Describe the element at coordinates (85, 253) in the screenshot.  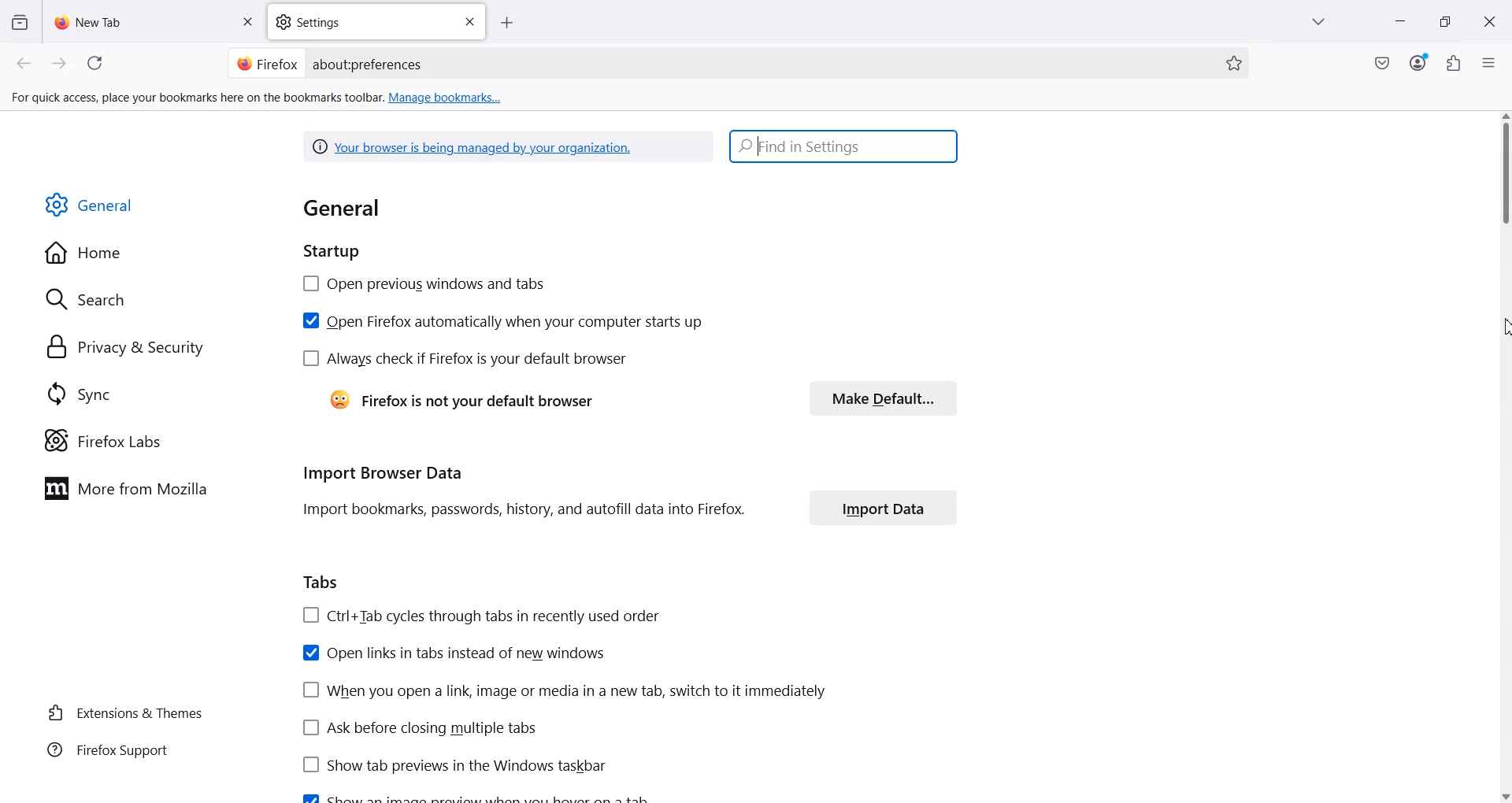
I see `o Home` at that location.